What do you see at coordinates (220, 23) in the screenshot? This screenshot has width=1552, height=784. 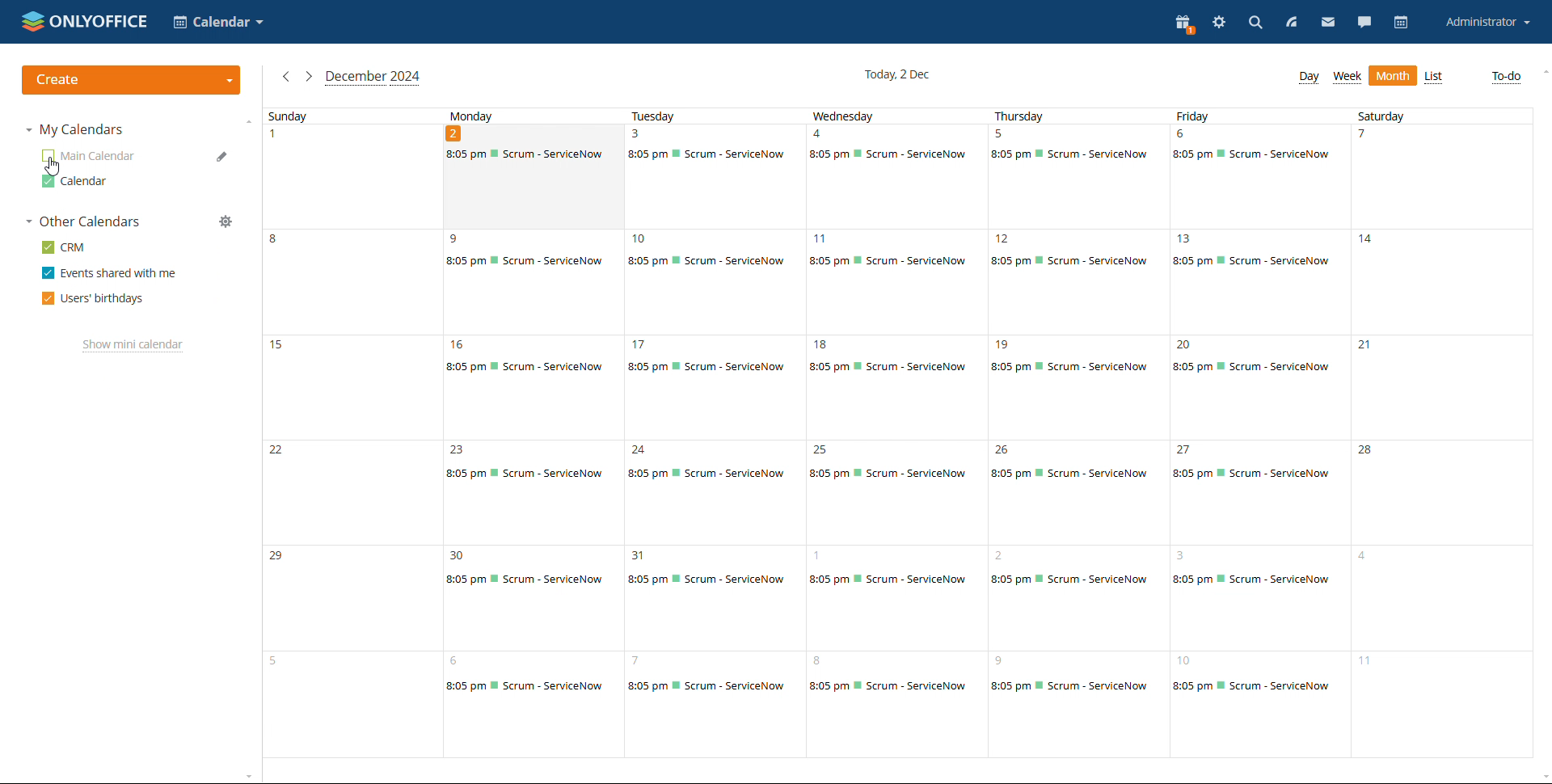 I see `select application` at bounding box center [220, 23].